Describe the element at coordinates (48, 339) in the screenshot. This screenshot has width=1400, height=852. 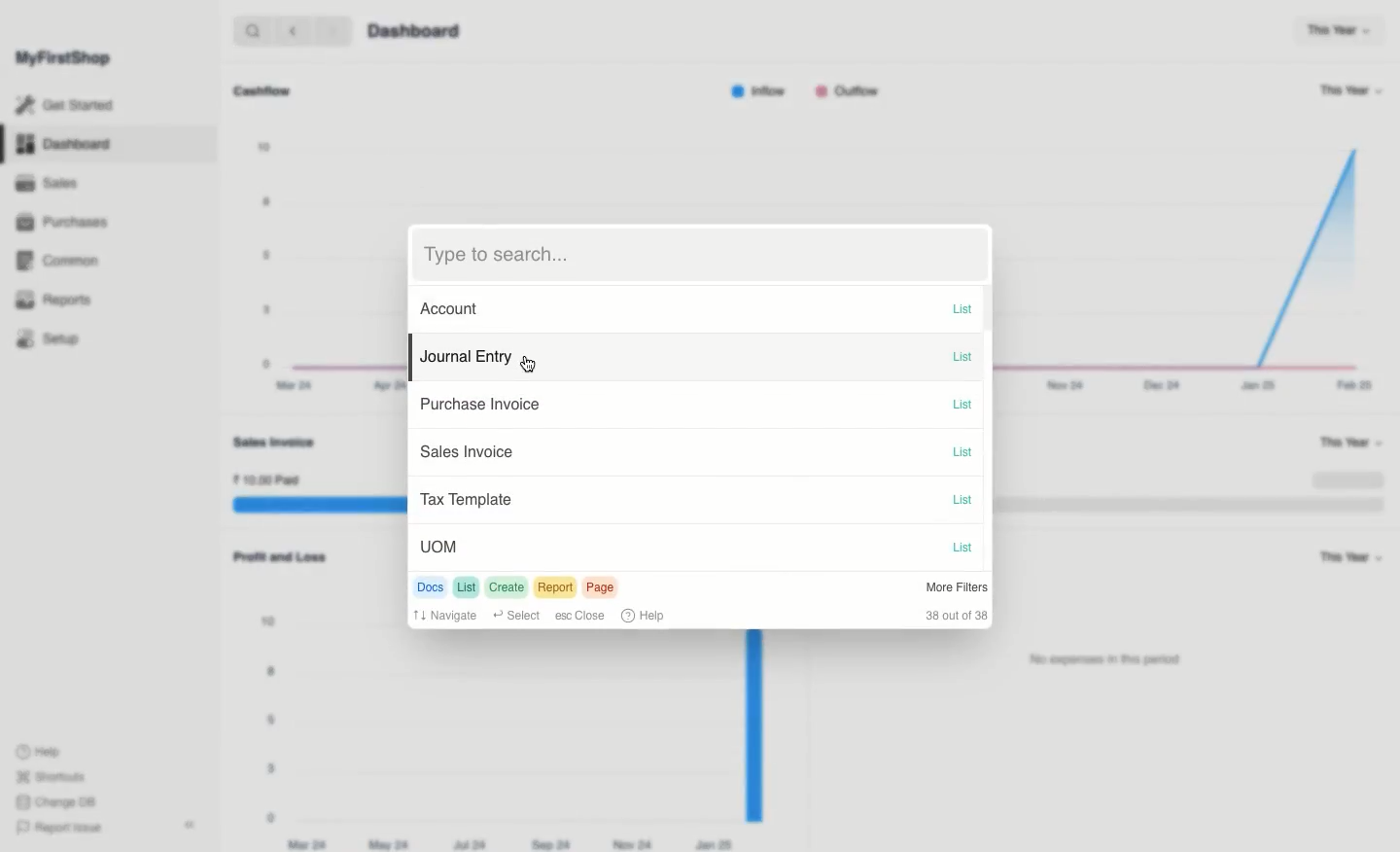
I see `Setup` at that location.